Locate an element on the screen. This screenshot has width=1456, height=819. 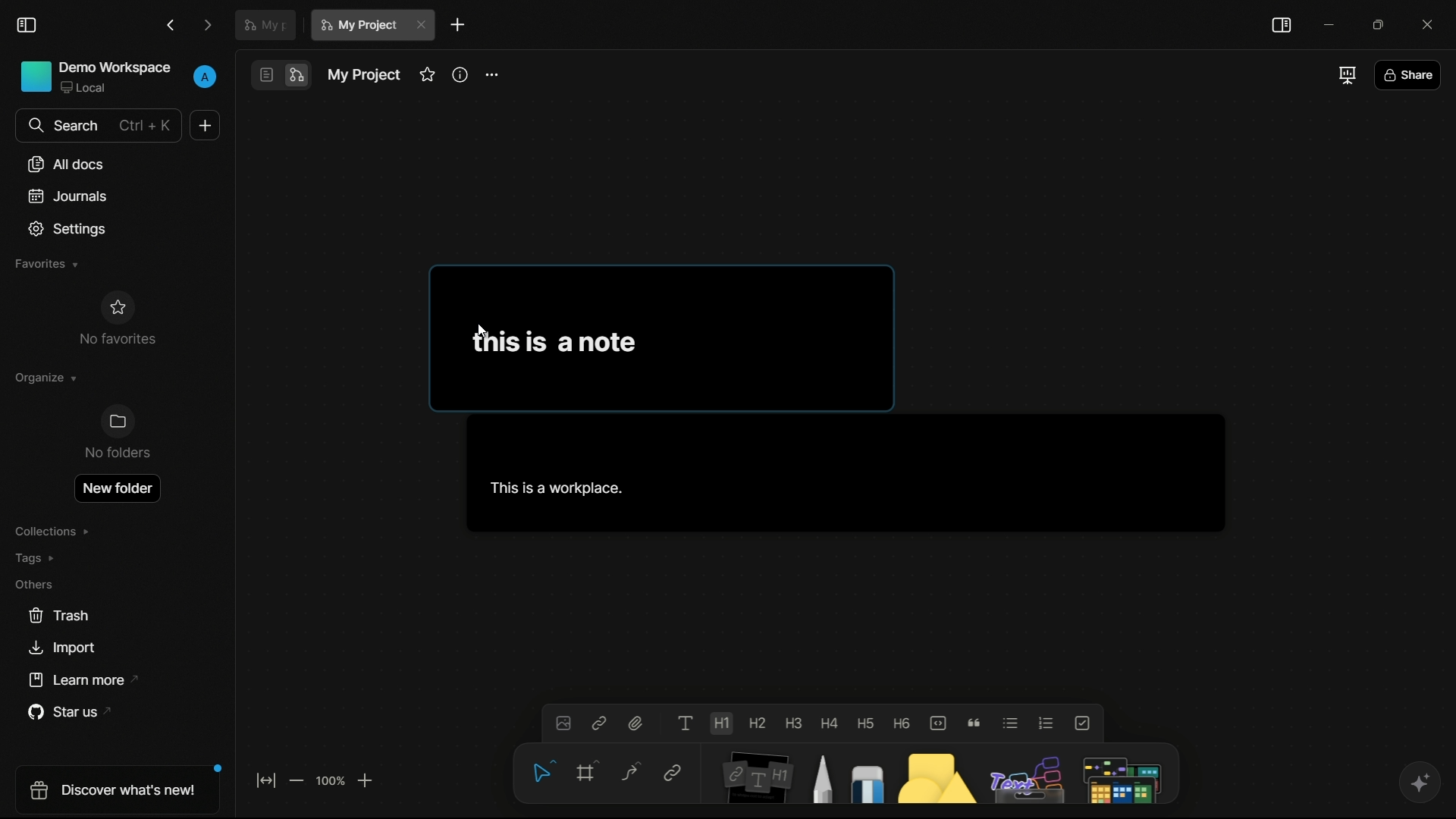
link is located at coordinates (672, 773).